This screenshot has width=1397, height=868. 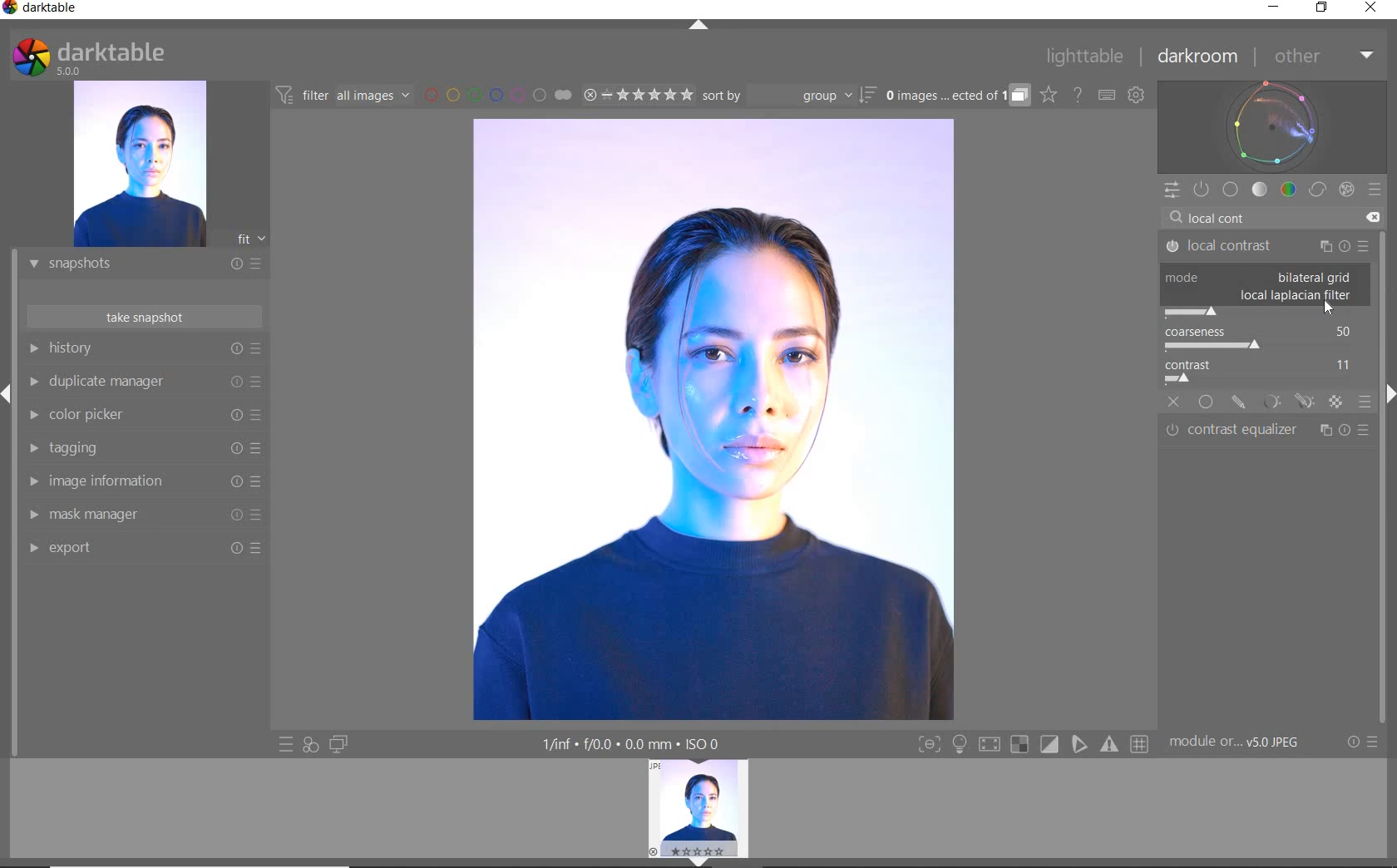 I want to click on DISPLAYED GUI INFO, so click(x=628, y=744).